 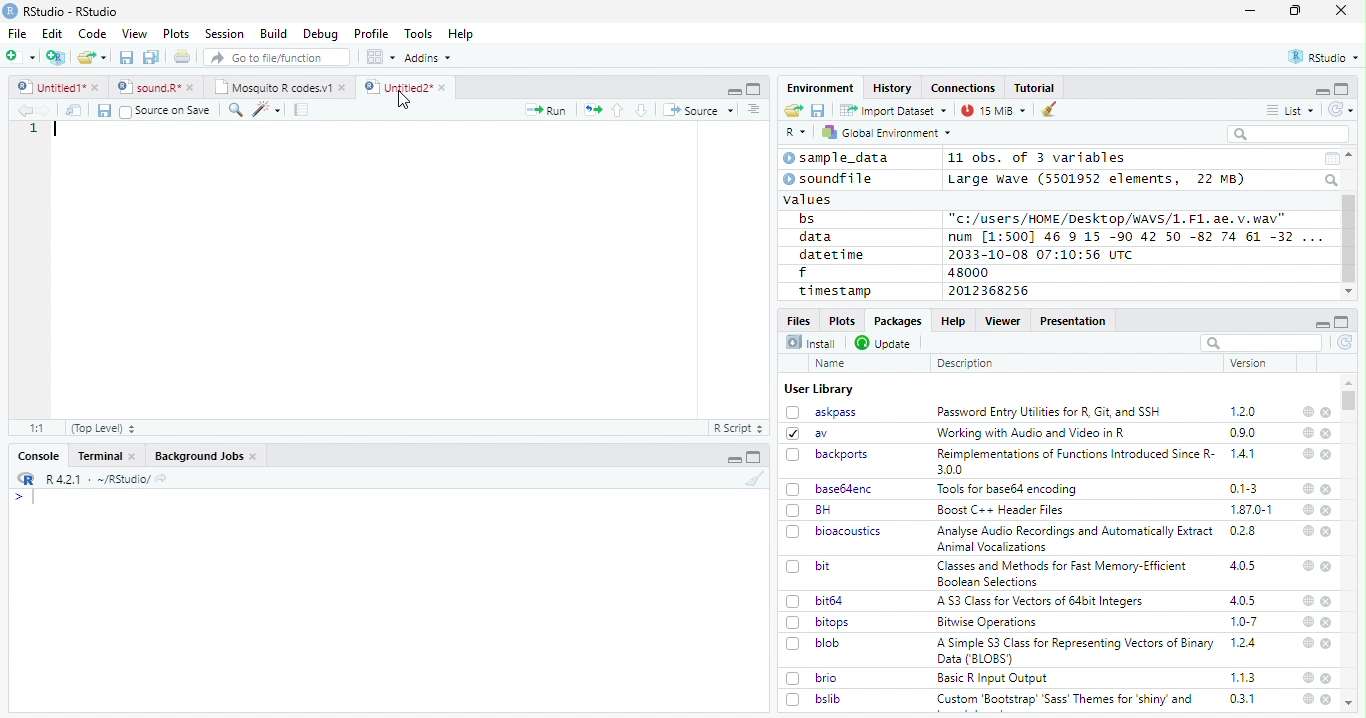 I want to click on Analyse Audio Recordings and Automatically ExtractAnimal Vocalizations, so click(x=1071, y=538).